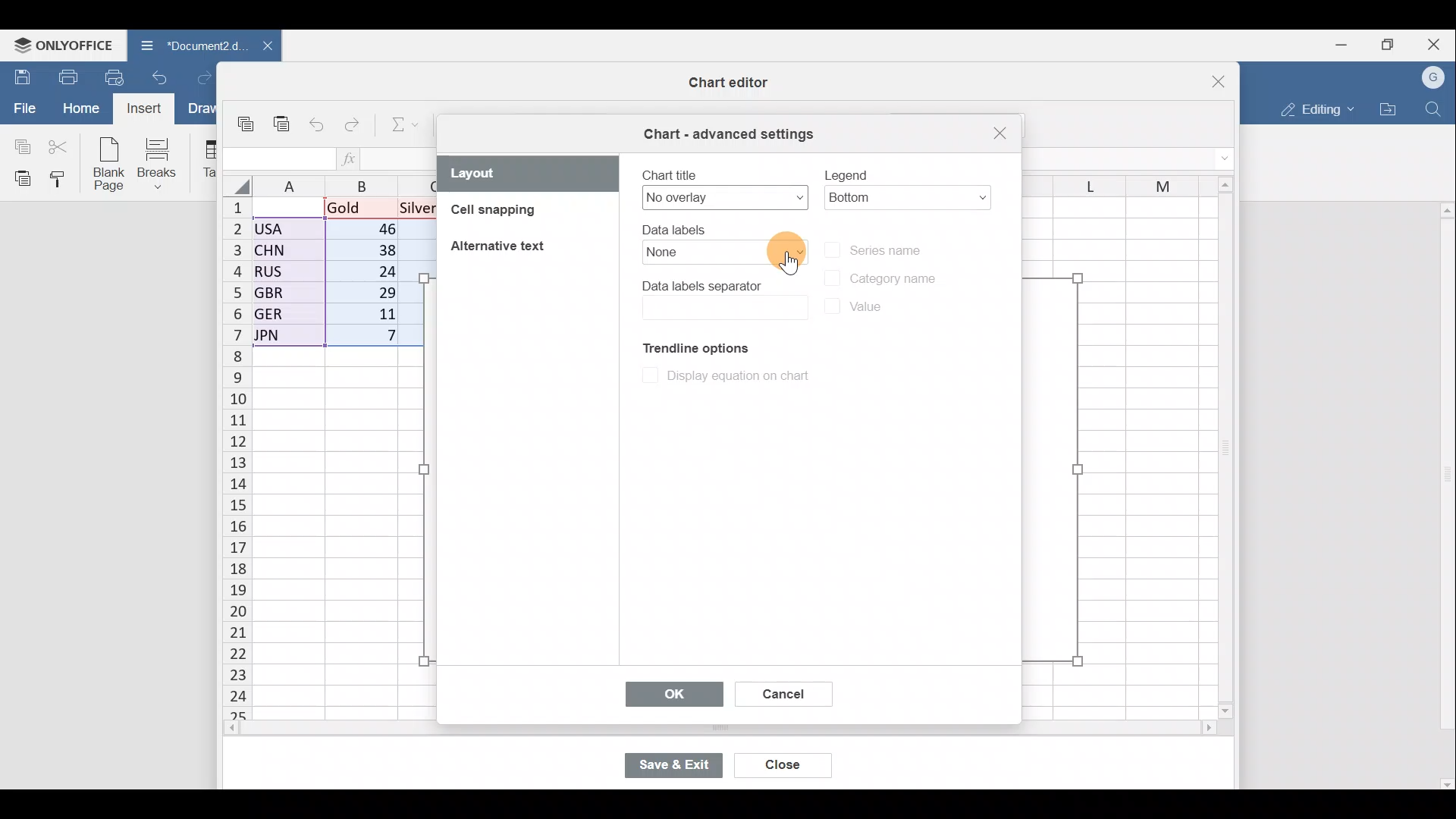  Describe the element at coordinates (908, 182) in the screenshot. I see `Legend` at that location.